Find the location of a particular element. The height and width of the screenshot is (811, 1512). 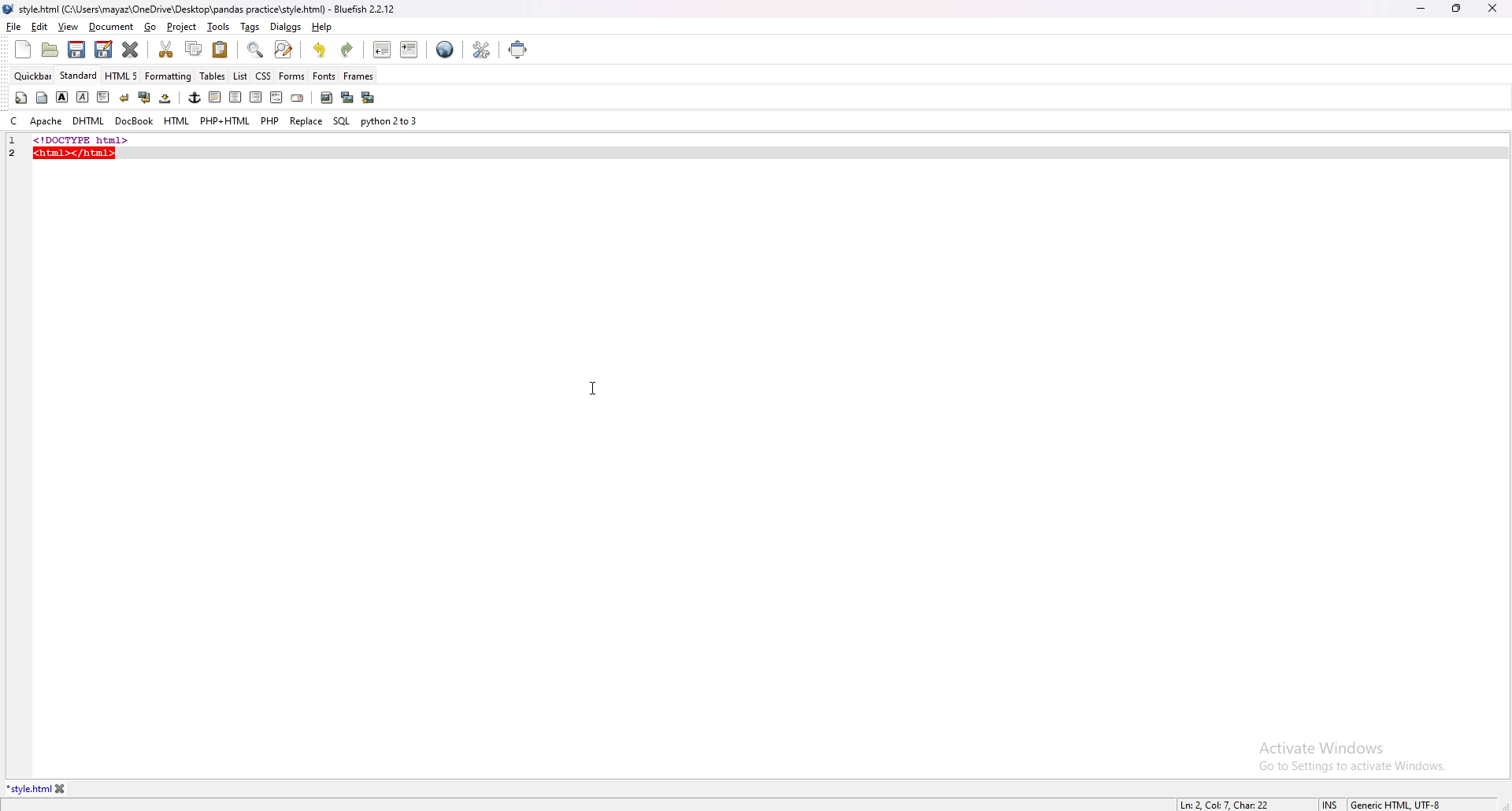

go is located at coordinates (152, 28).